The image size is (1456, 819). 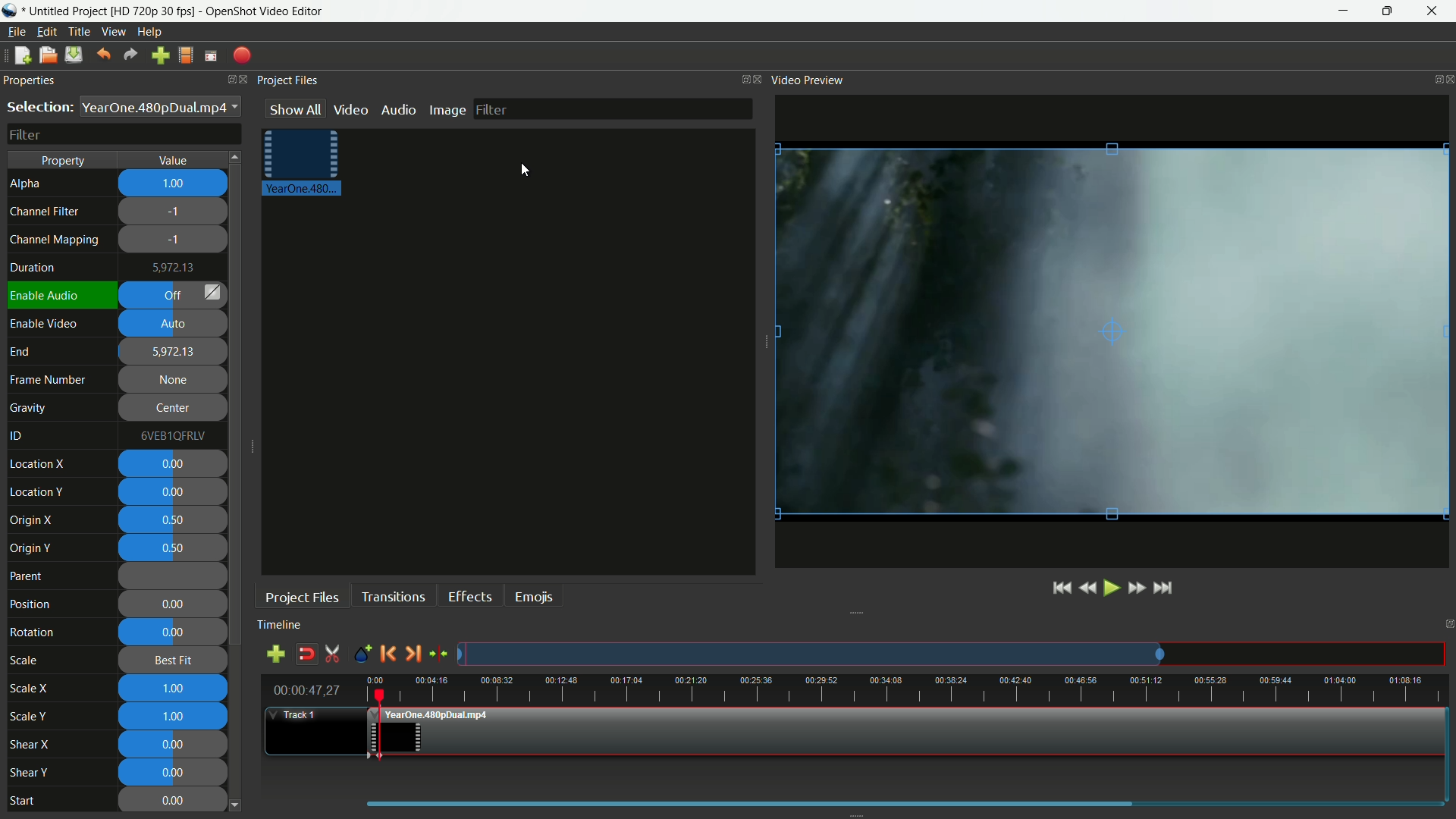 What do you see at coordinates (39, 465) in the screenshot?
I see `location x` at bounding box center [39, 465].